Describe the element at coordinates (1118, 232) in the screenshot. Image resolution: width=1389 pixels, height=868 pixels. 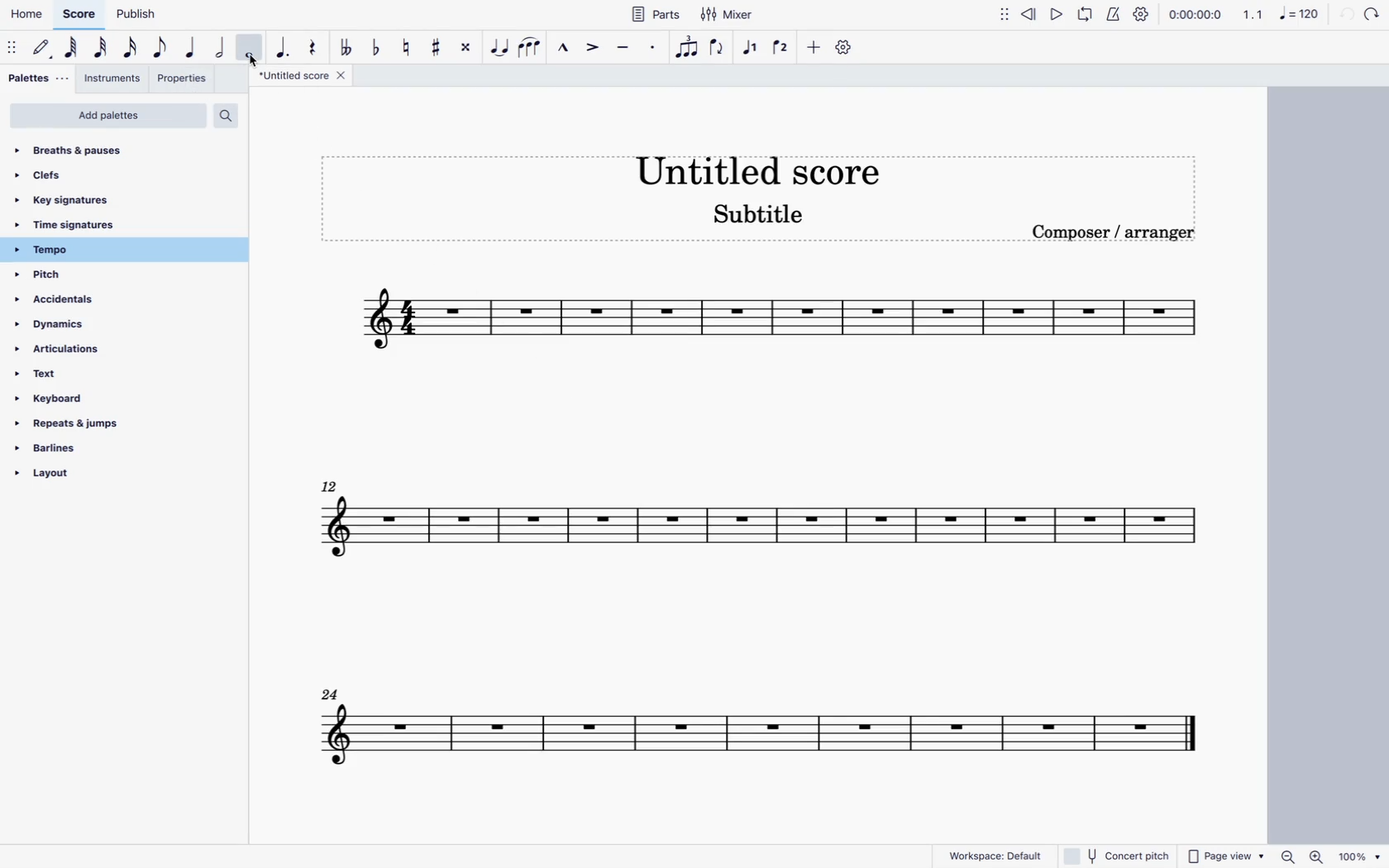
I see `composer / arranger` at that location.